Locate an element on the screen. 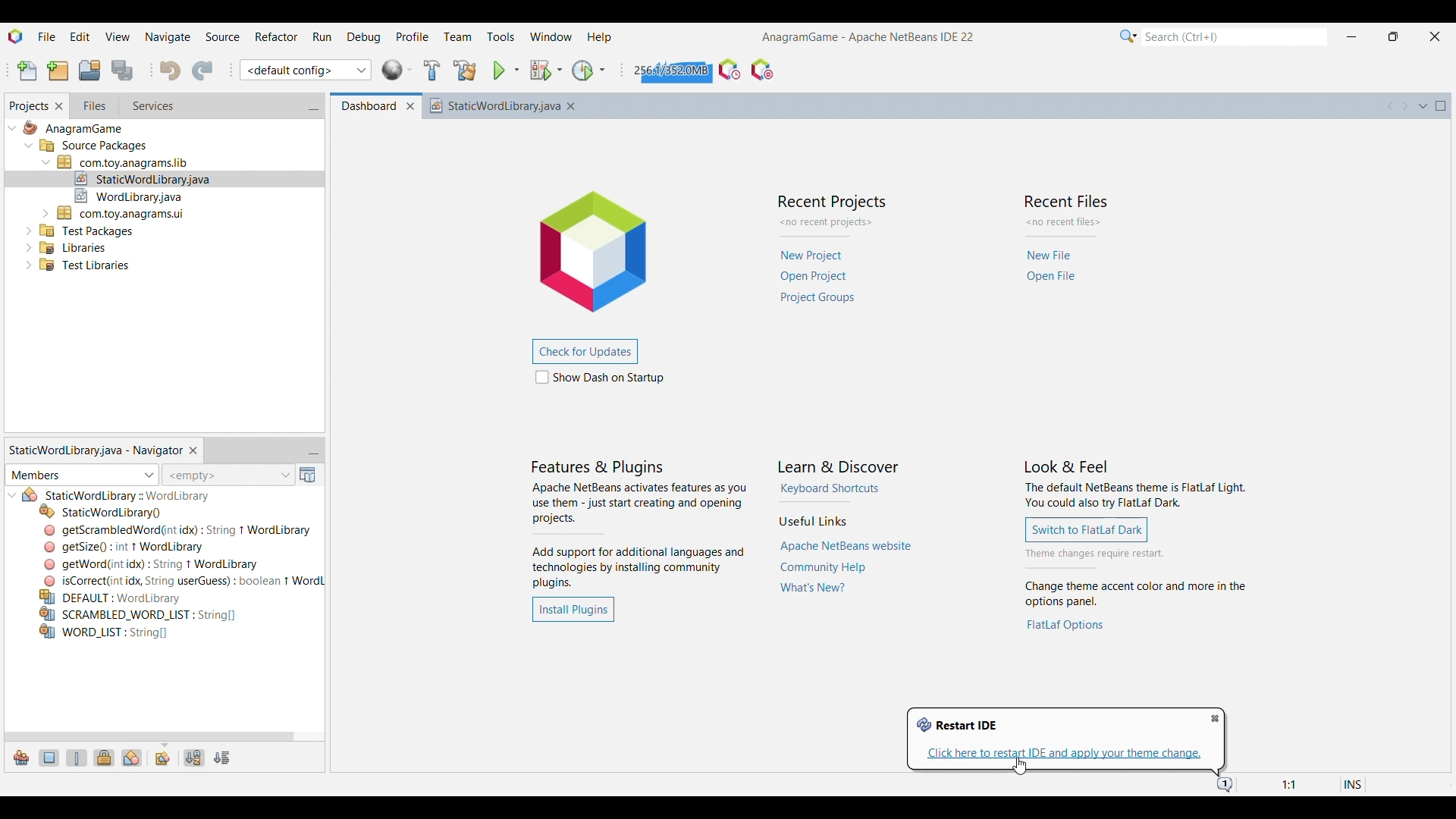 Image resolution: width=1456 pixels, height=819 pixels. Close interface is located at coordinates (1436, 36).